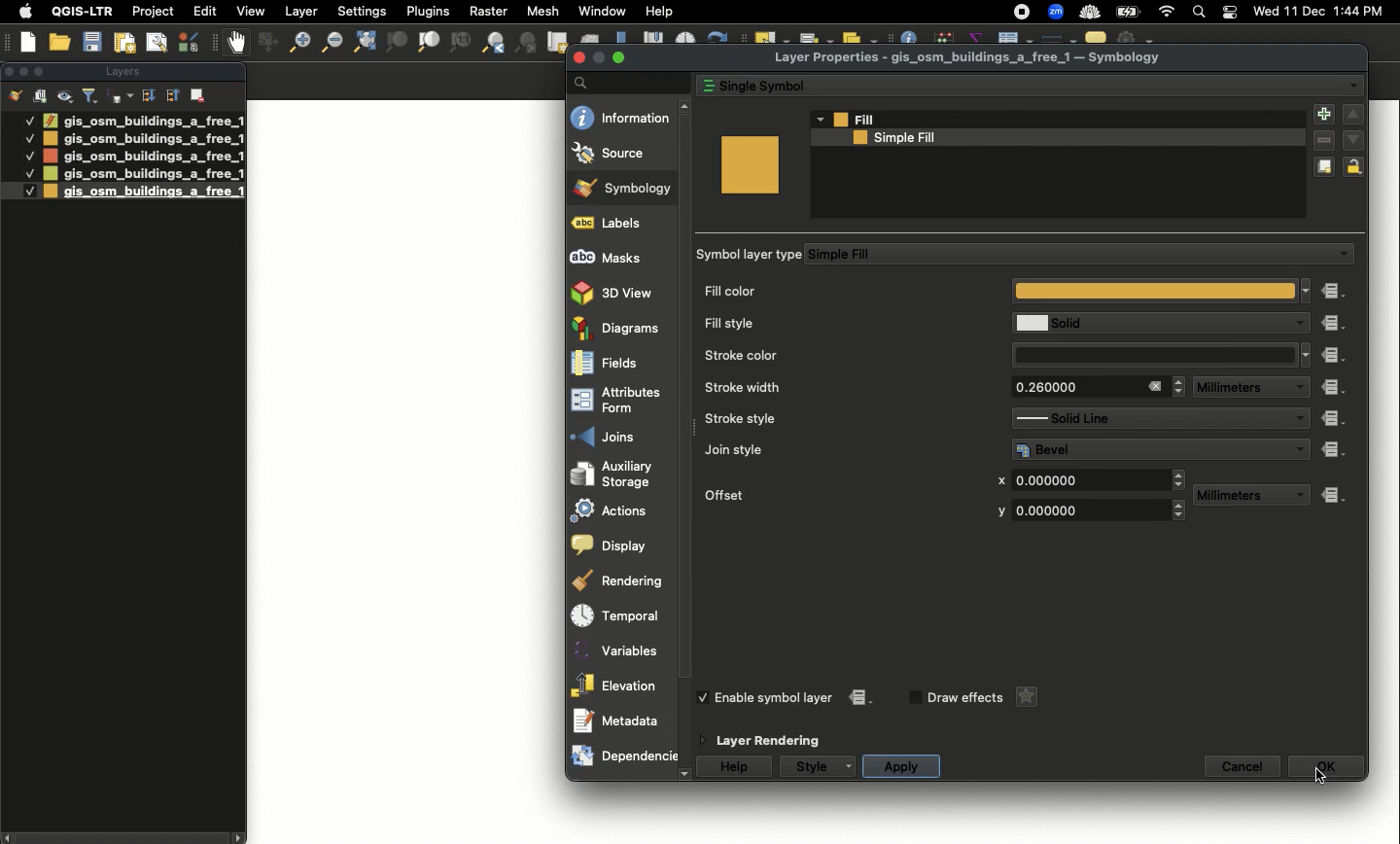  What do you see at coordinates (843, 449) in the screenshot?
I see `Join style` at bounding box center [843, 449].